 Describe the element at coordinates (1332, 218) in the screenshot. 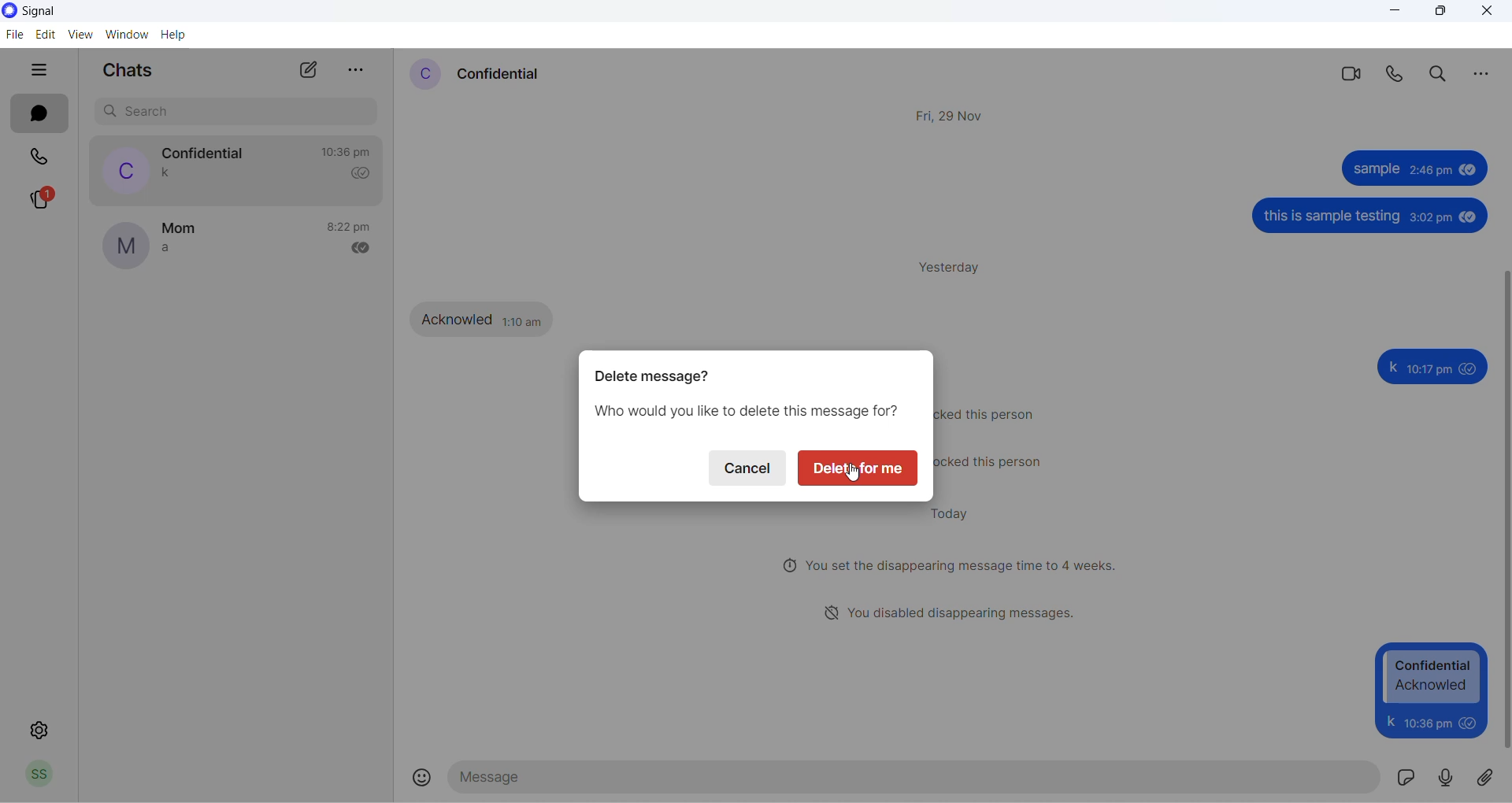

I see `this is sample testing` at that location.